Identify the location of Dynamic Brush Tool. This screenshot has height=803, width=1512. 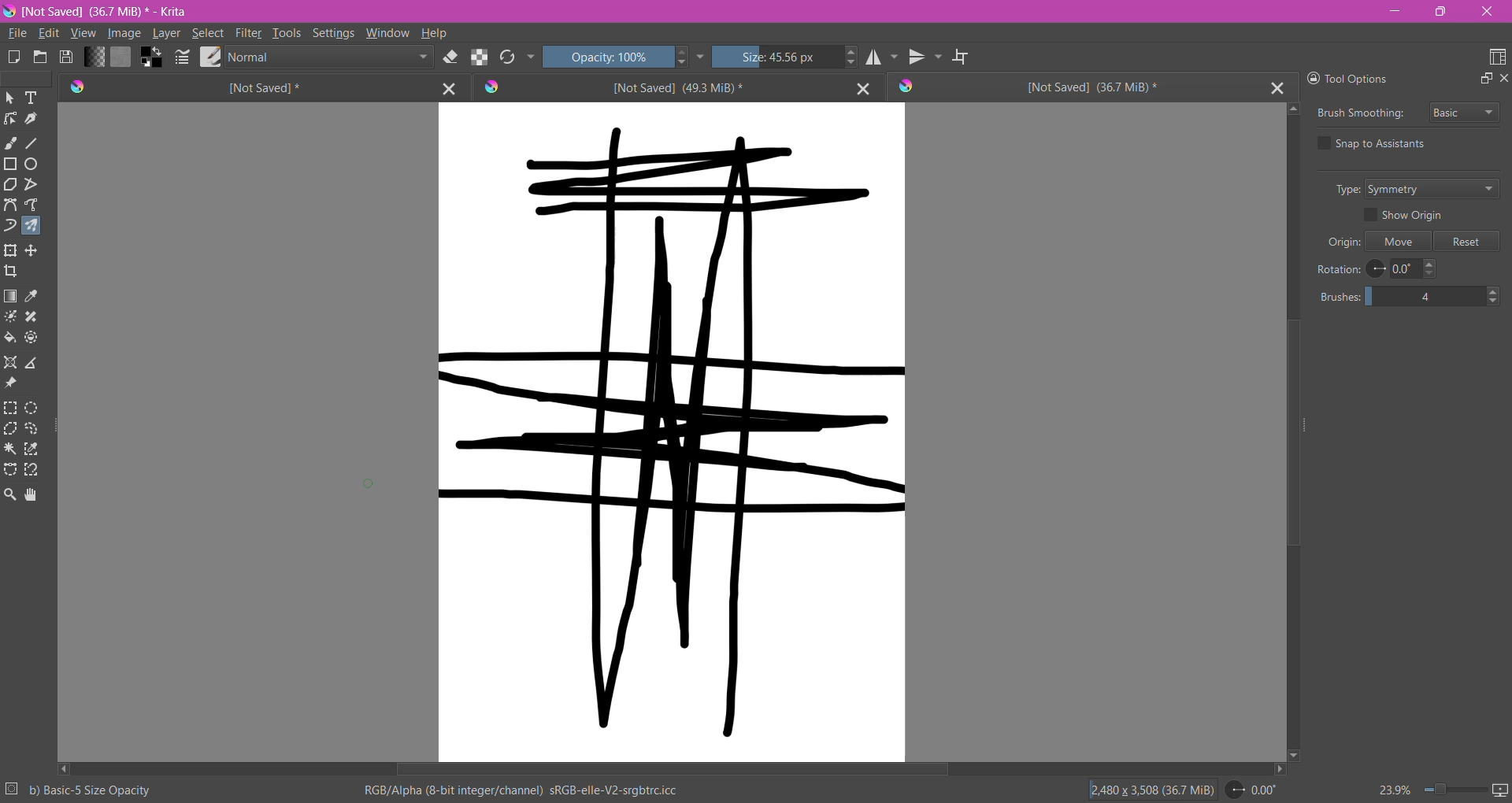
(10, 224).